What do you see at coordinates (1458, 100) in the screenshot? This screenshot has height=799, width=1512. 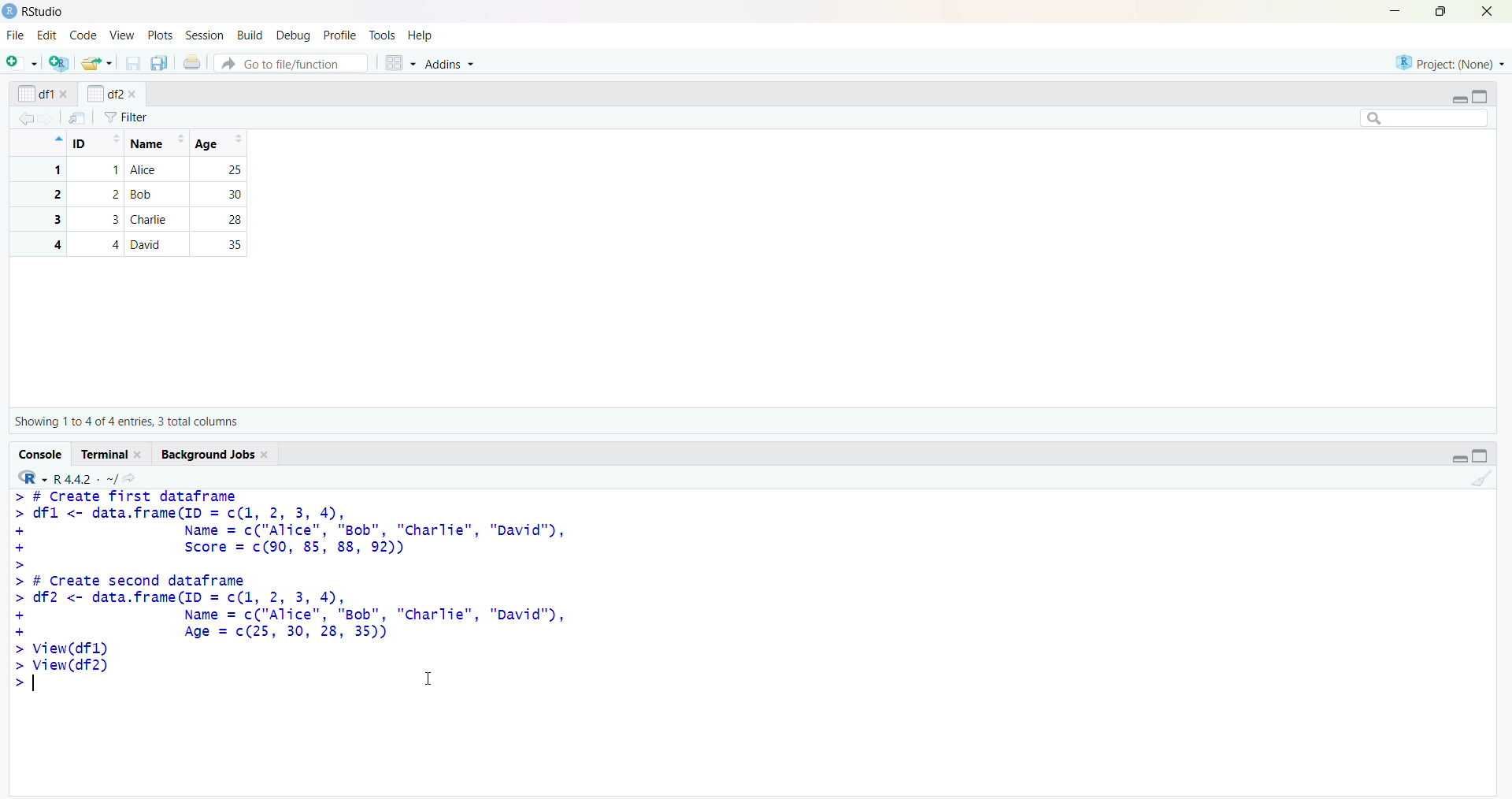 I see `Collapse/expand ` at bounding box center [1458, 100].